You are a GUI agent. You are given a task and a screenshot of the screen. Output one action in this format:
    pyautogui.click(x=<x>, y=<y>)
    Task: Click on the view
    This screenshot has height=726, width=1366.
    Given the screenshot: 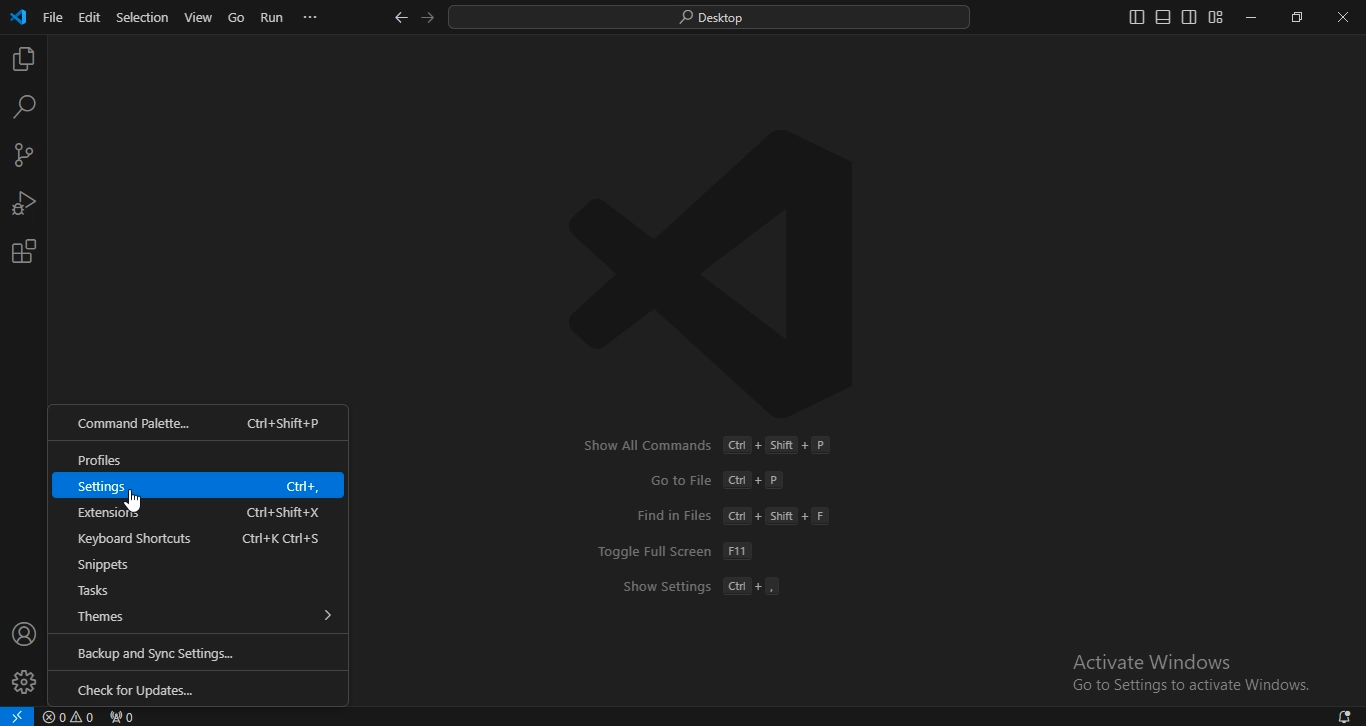 What is the action you would take?
    pyautogui.click(x=198, y=16)
    